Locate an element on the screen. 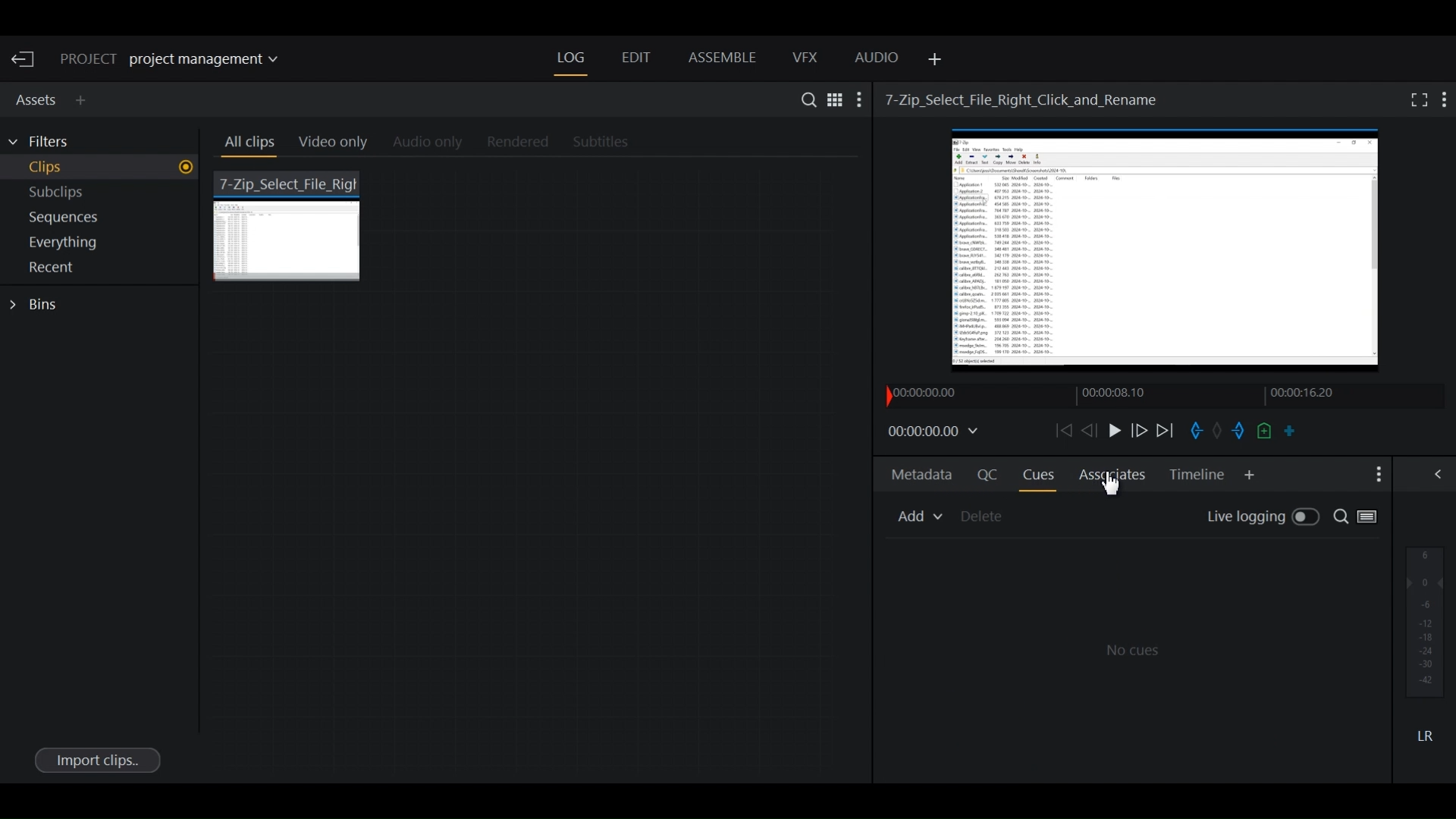 The image size is (1456, 819). Mark out is located at coordinates (1237, 431).